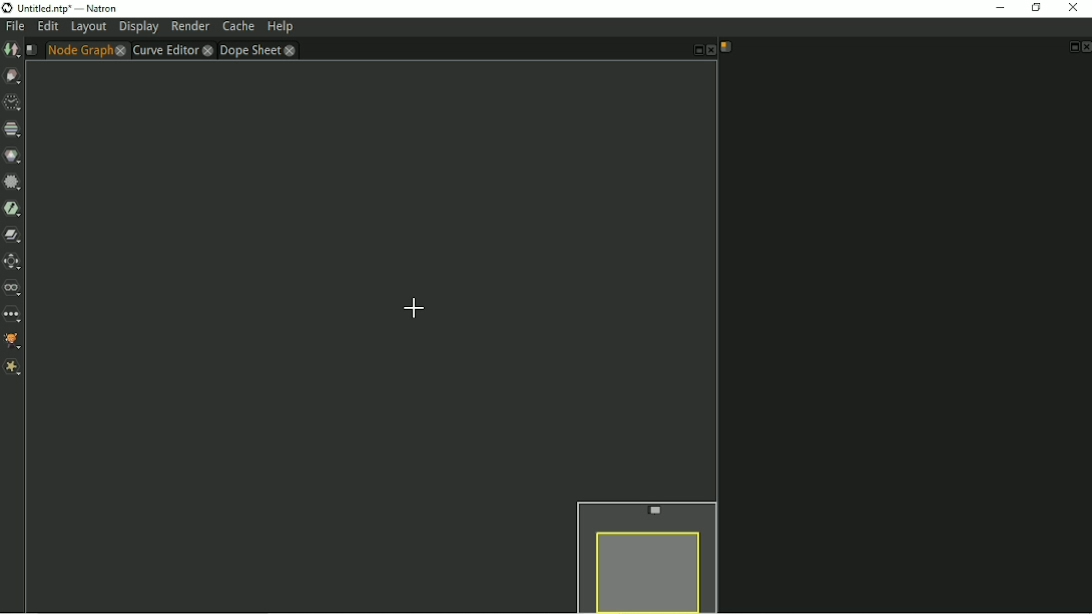 The image size is (1092, 614). Describe the element at coordinates (415, 307) in the screenshot. I see `Cursor` at that location.